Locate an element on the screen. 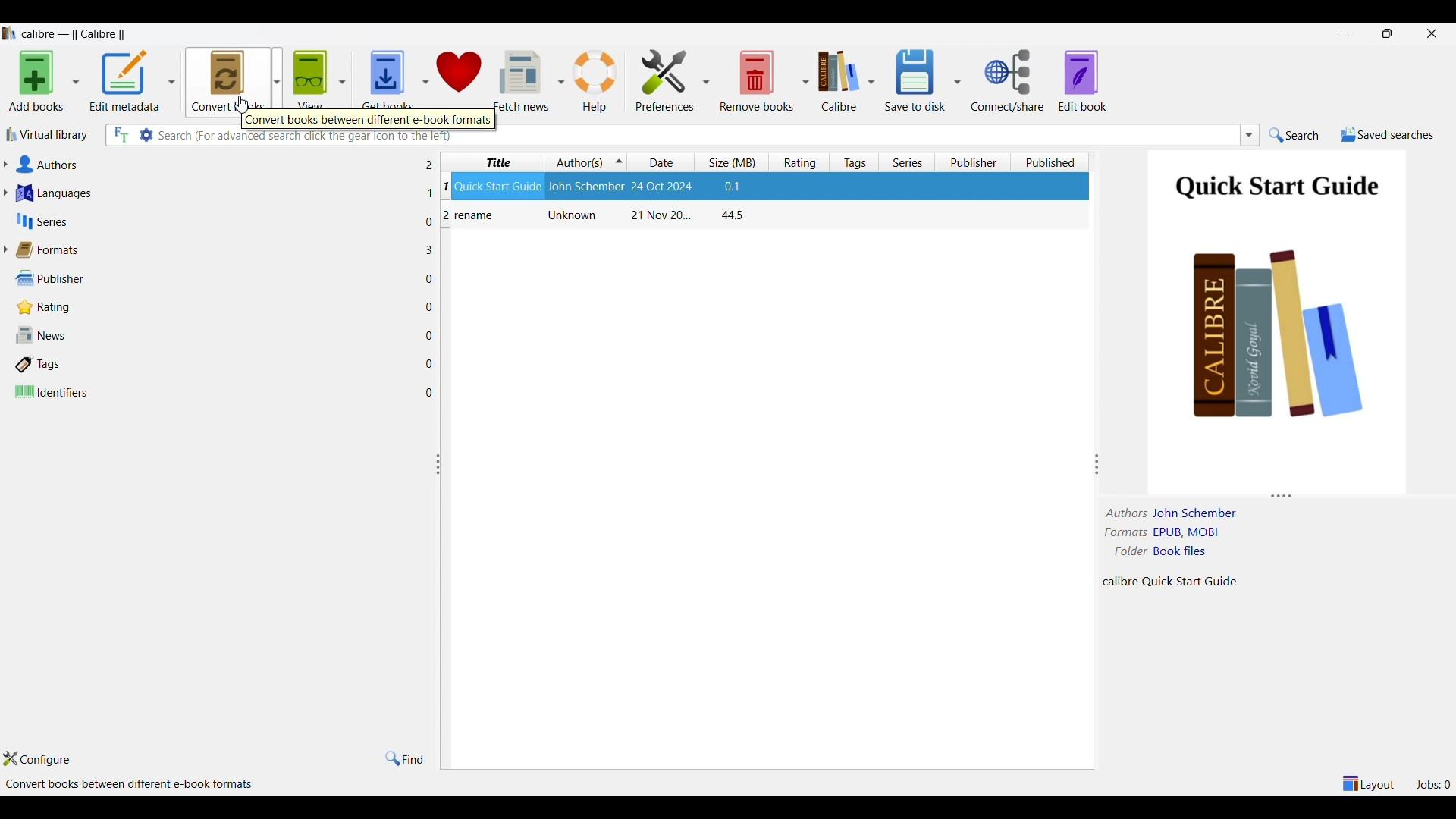 This screenshot has width=1456, height=819. Expand forrmats is located at coordinates (5, 249).